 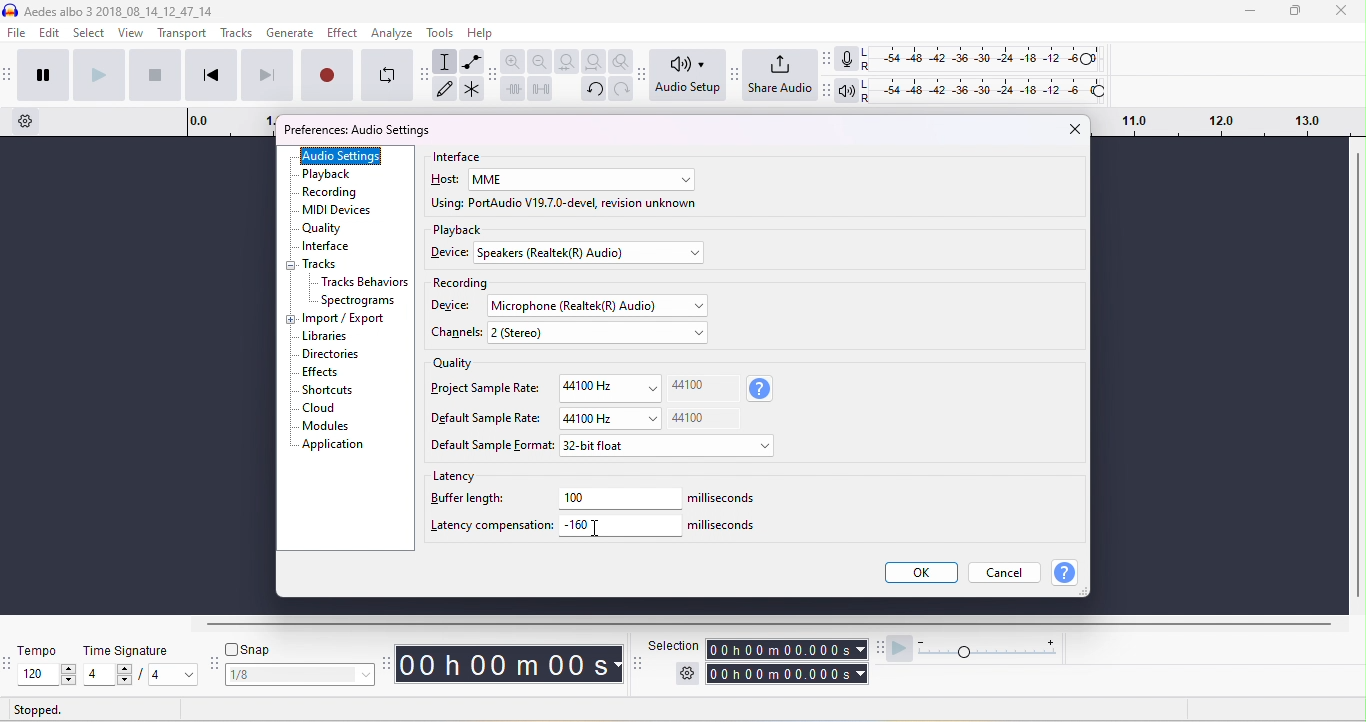 What do you see at coordinates (342, 32) in the screenshot?
I see `effect` at bounding box center [342, 32].